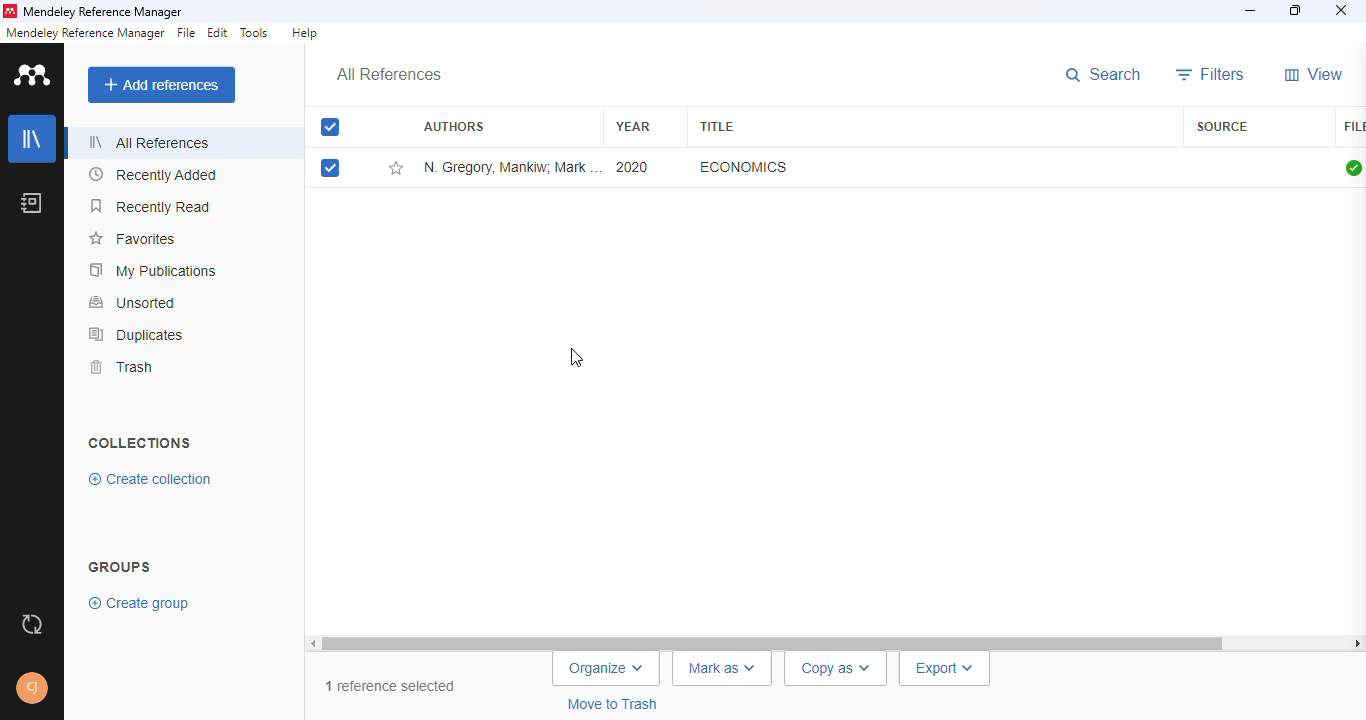 The height and width of the screenshot is (720, 1366). Describe the element at coordinates (186, 33) in the screenshot. I see `file` at that location.